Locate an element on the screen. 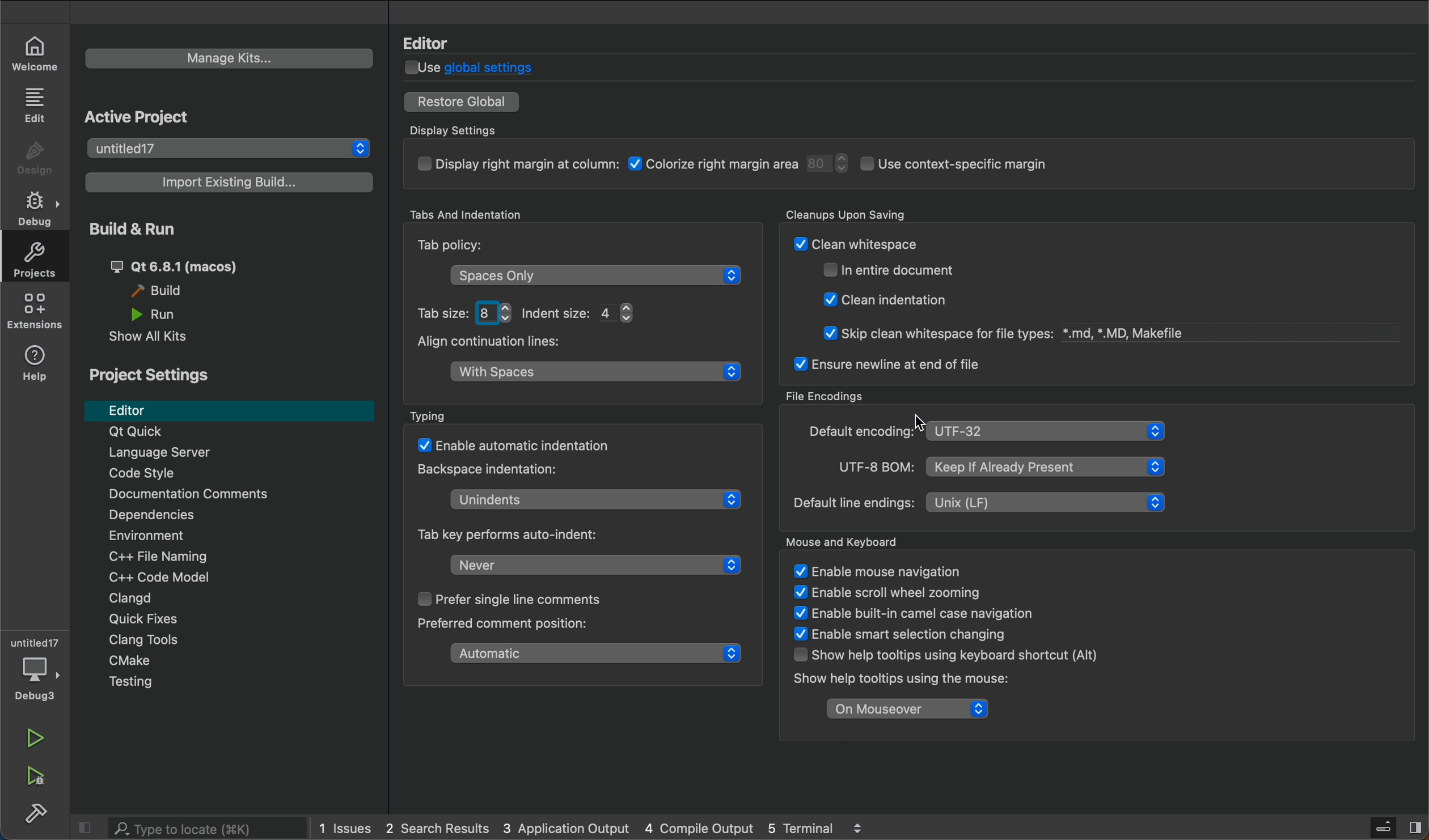  Environment  is located at coordinates (223, 536).